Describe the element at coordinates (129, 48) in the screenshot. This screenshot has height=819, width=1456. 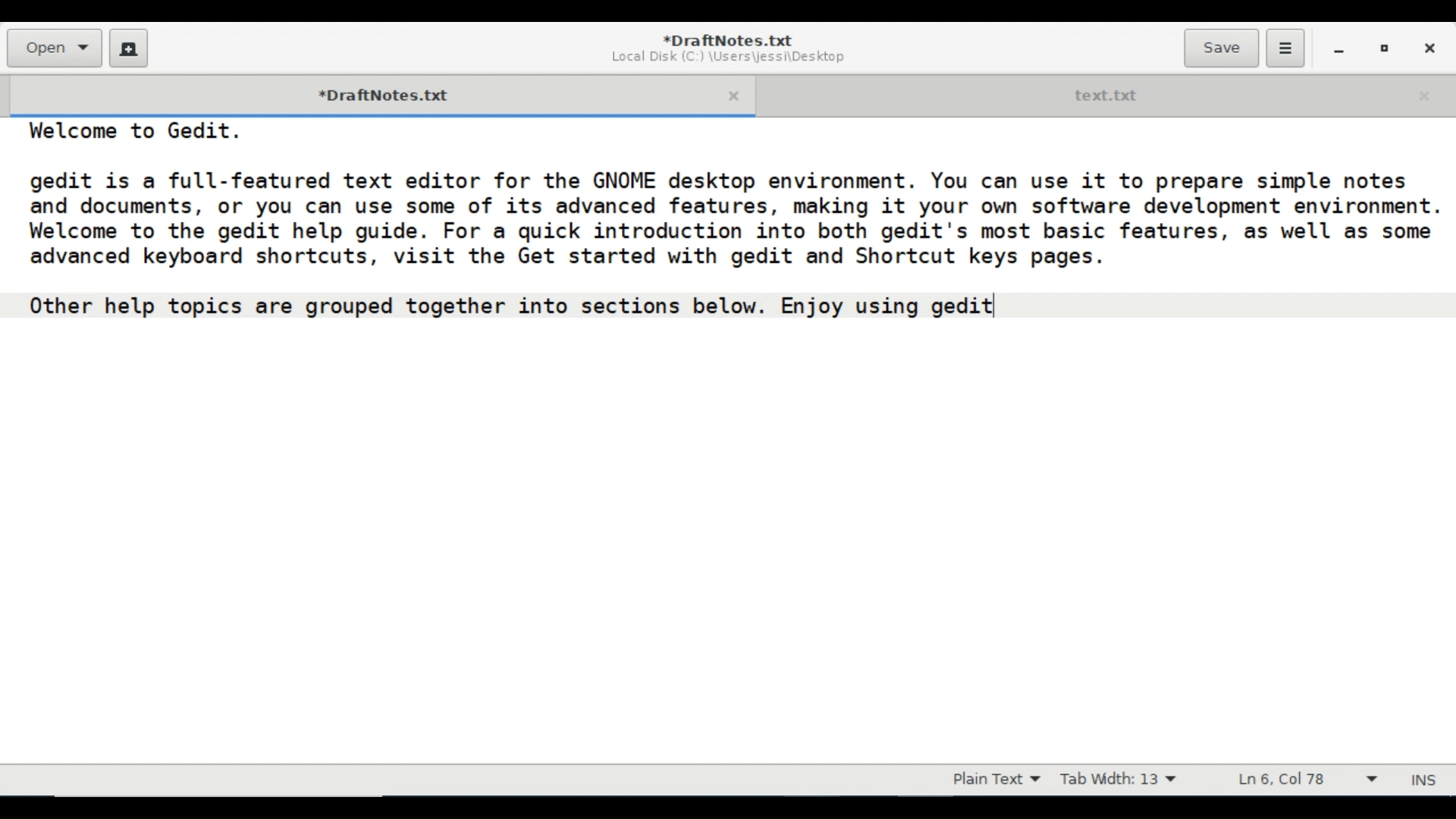
I see `Create New` at that location.